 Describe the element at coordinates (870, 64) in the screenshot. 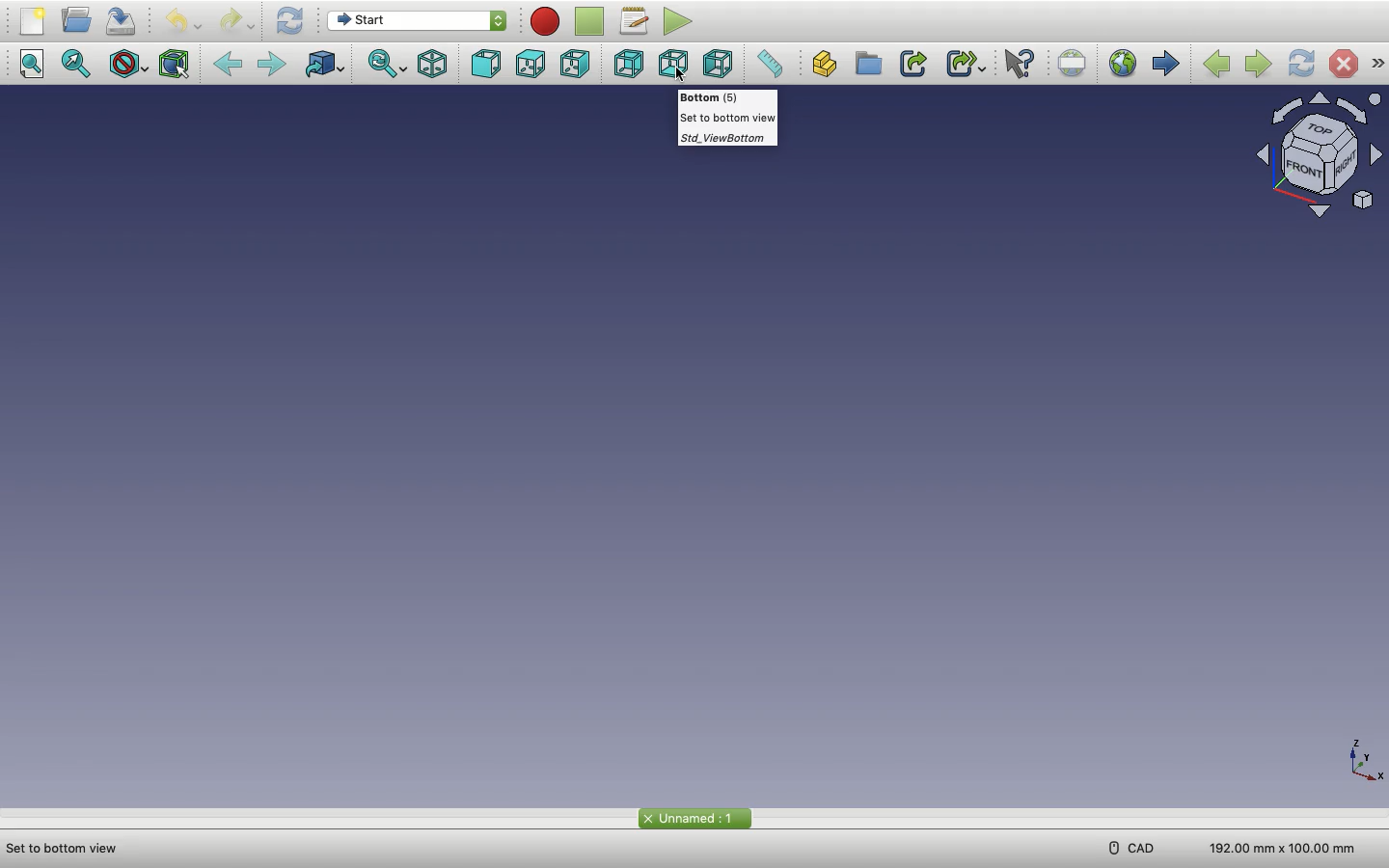

I see `Create group` at that location.